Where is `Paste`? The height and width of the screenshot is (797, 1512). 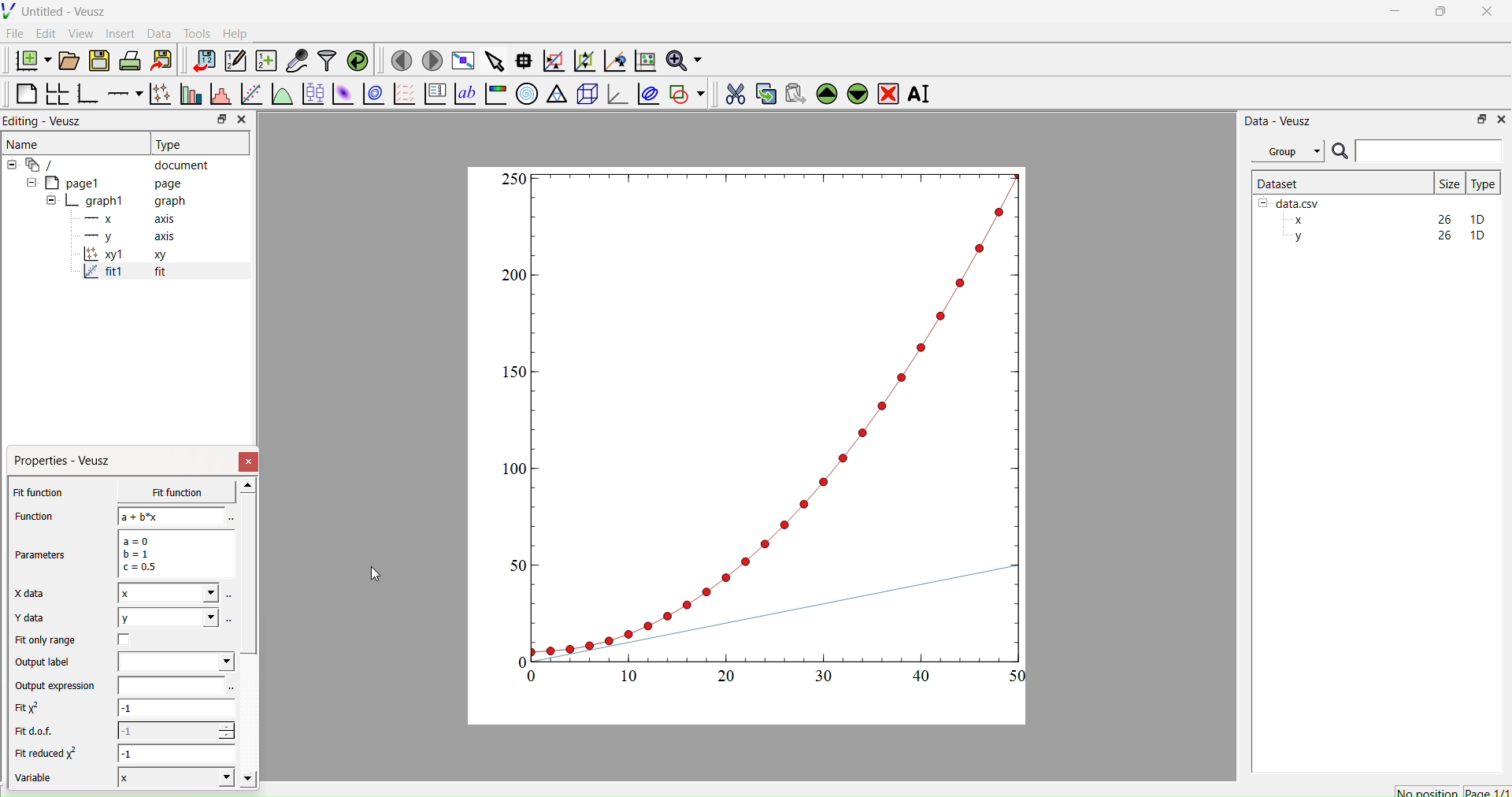 Paste is located at coordinates (793, 91).